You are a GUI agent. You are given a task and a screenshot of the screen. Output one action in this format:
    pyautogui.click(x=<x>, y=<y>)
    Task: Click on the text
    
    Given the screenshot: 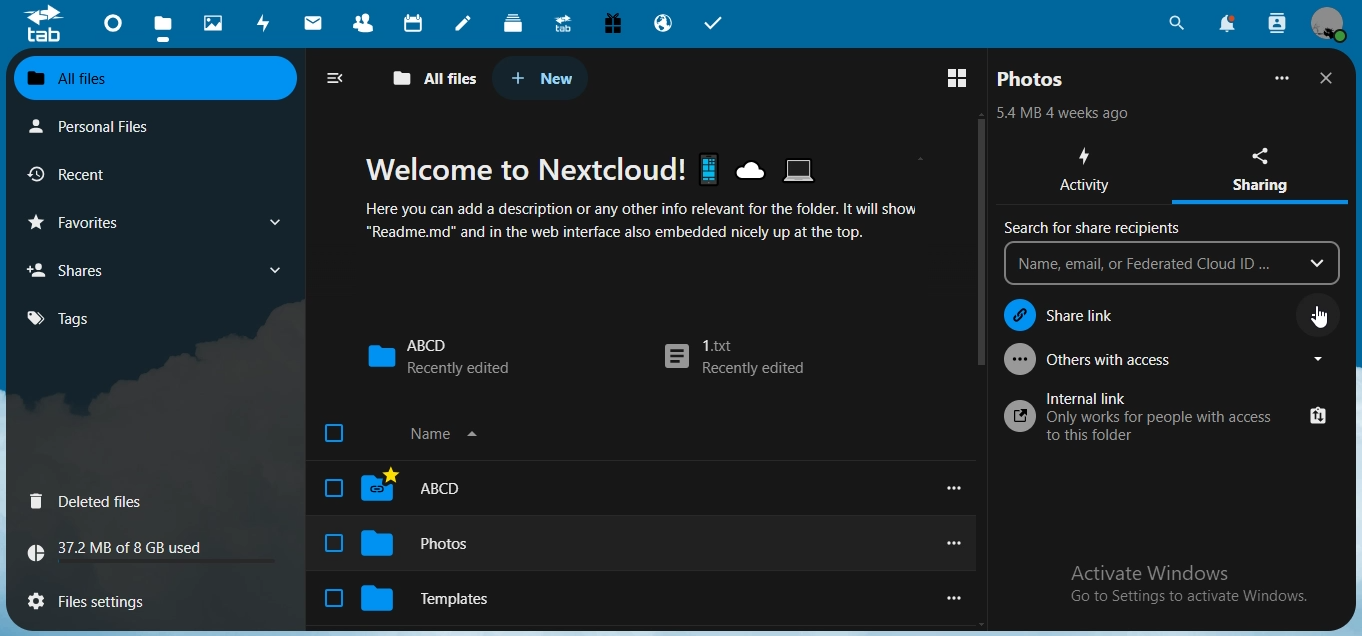 What is the action you would take?
    pyautogui.click(x=1067, y=115)
    